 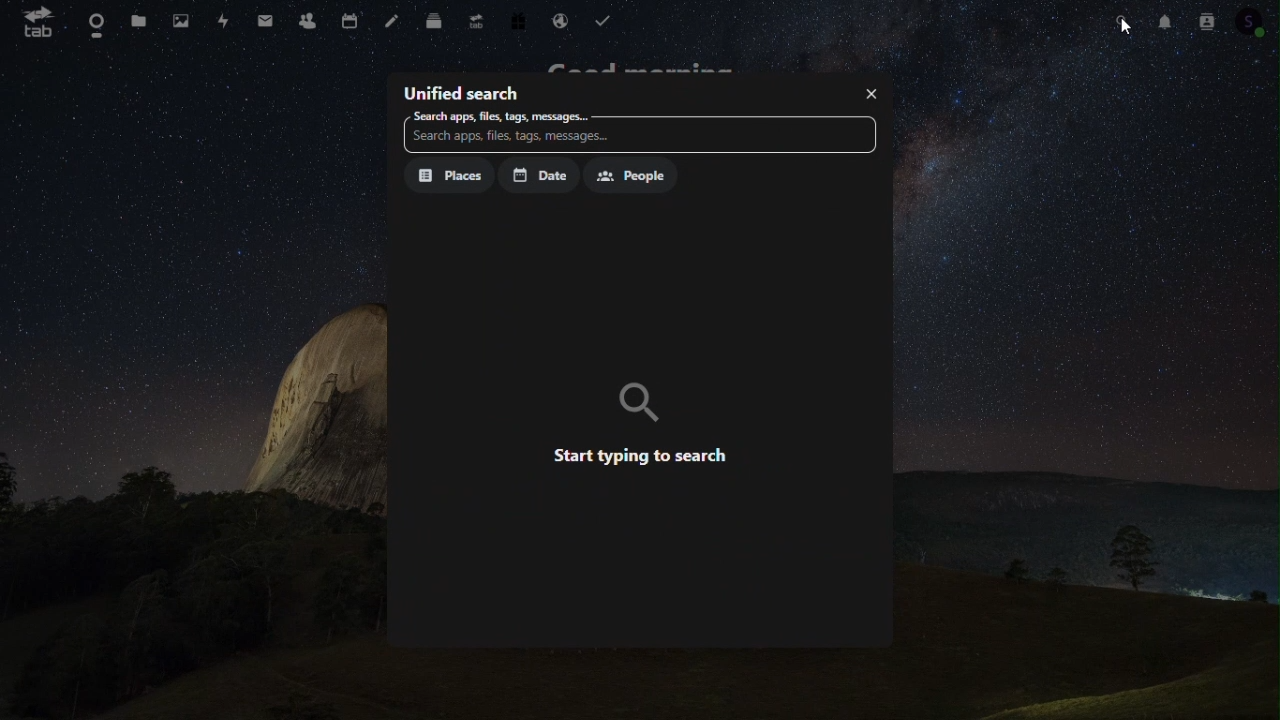 What do you see at coordinates (1123, 22) in the screenshot?
I see `Search` at bounding box center [1123, 22].